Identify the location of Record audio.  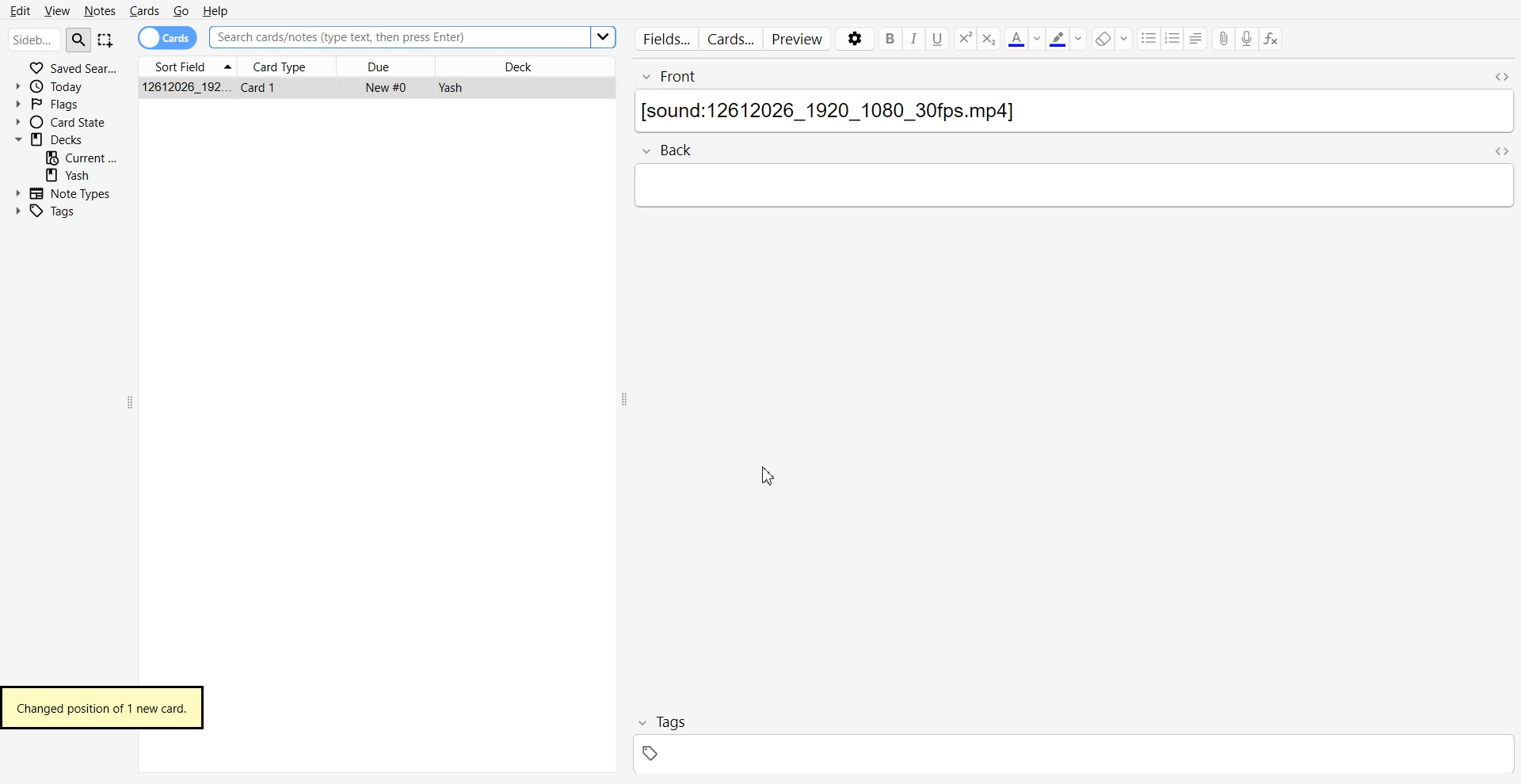
(1248, 39).